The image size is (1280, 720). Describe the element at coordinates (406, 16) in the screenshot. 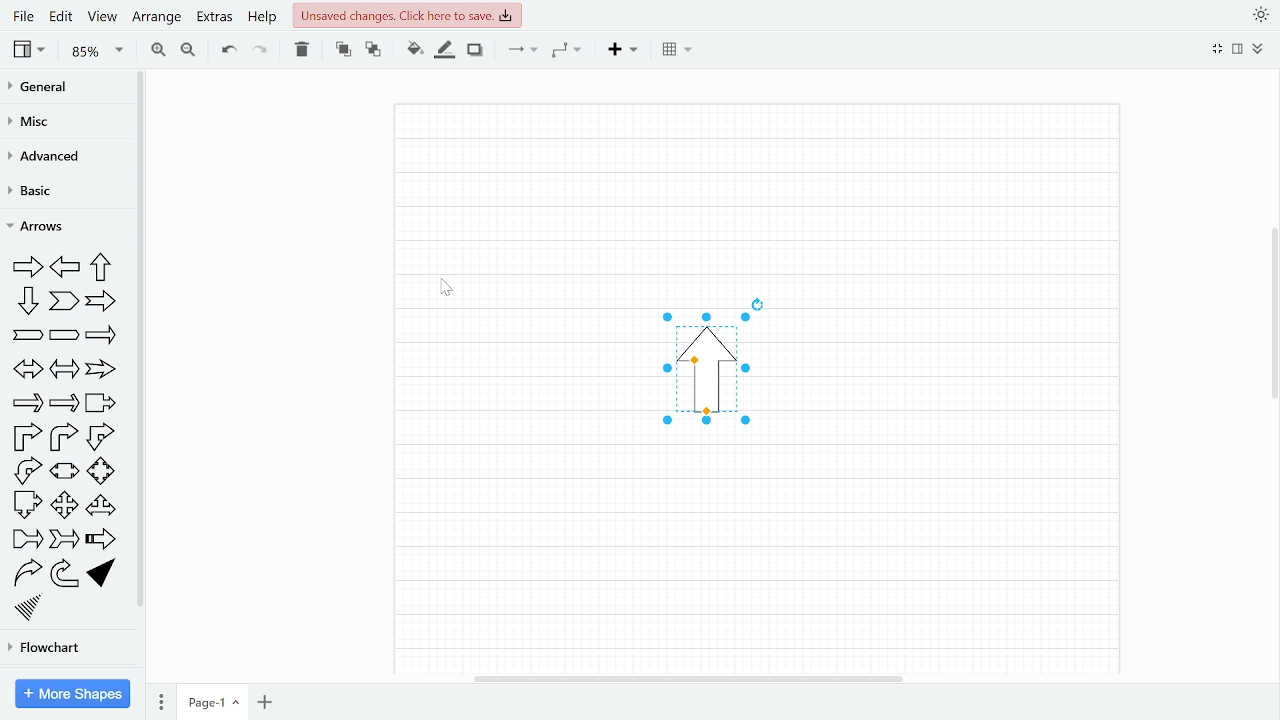

I see `Unsaved changes. Click here to save` at that location.